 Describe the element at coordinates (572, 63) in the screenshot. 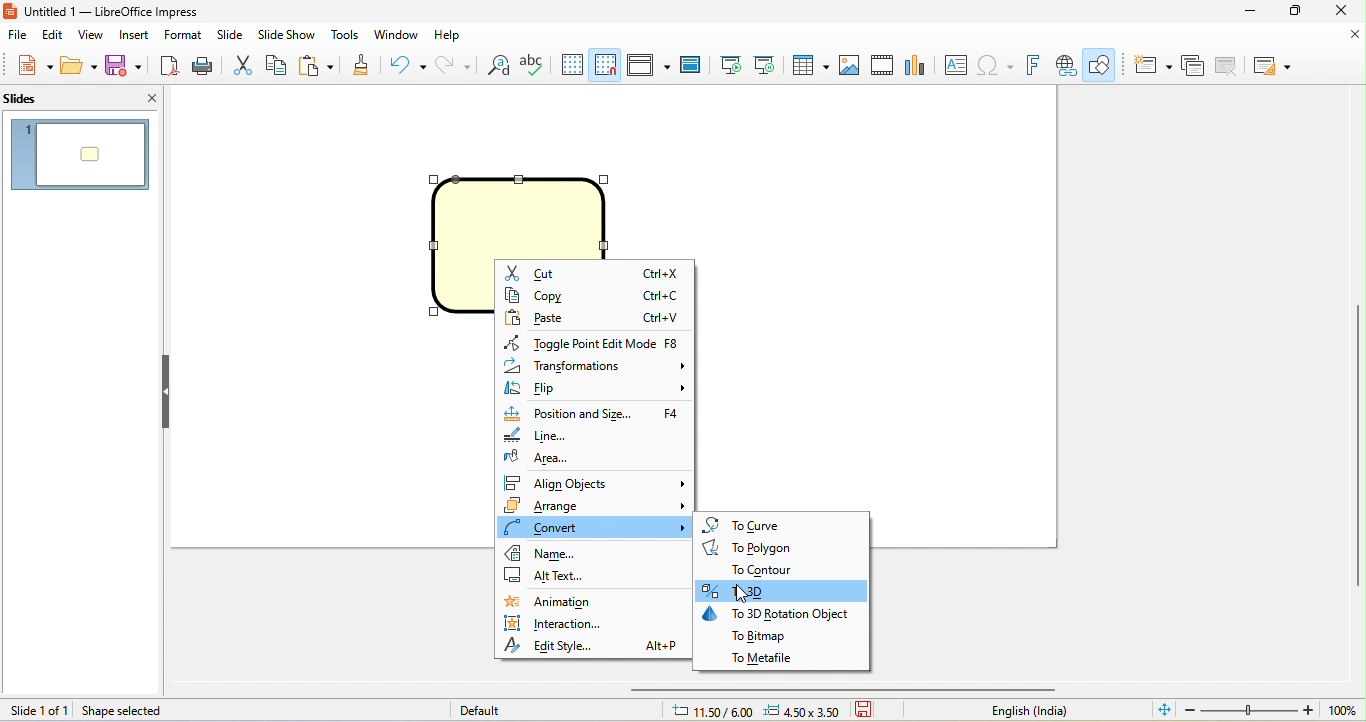

I see `display grid` at that location.